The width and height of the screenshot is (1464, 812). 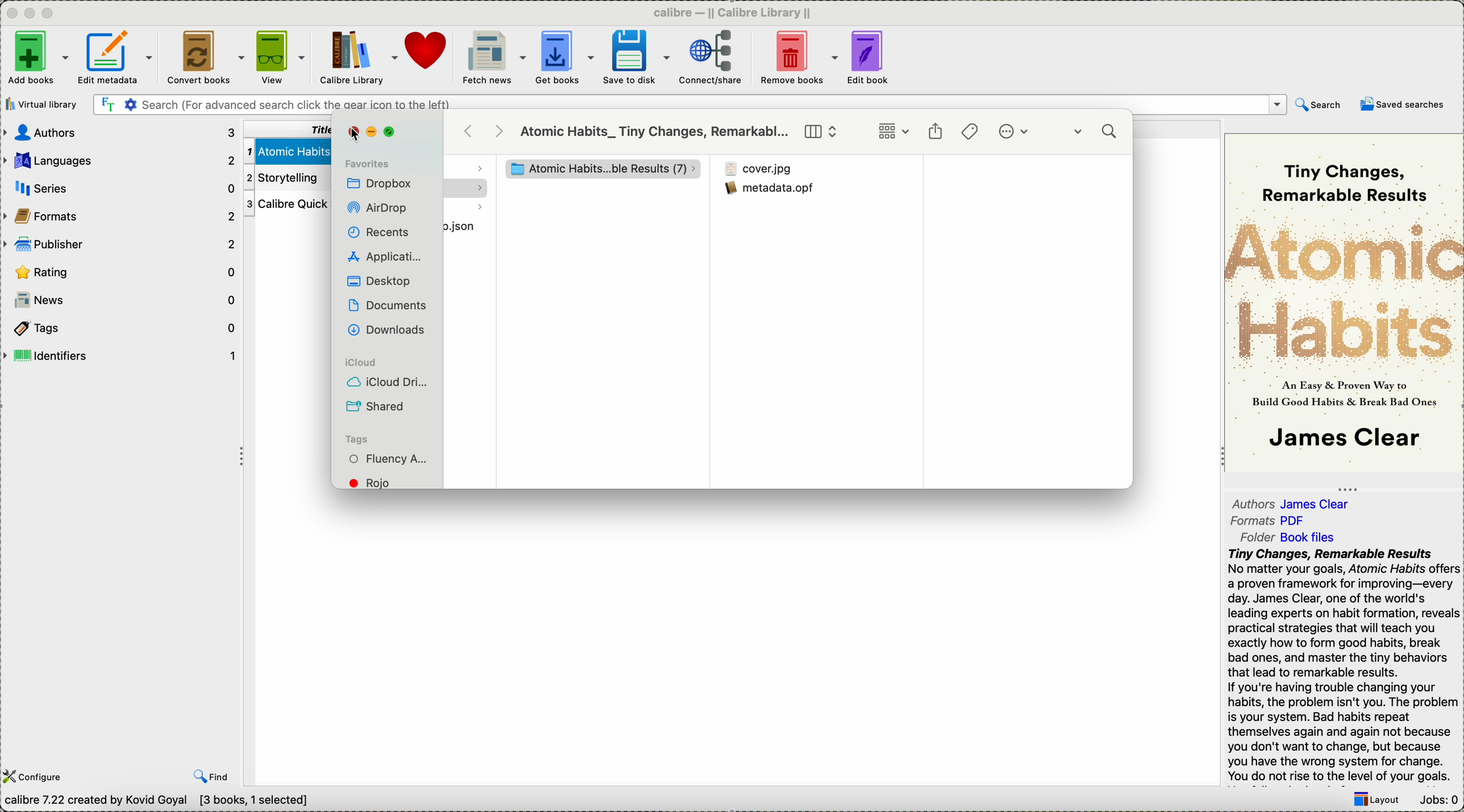 I want to click on fetch news, so click(x=492, y=58).